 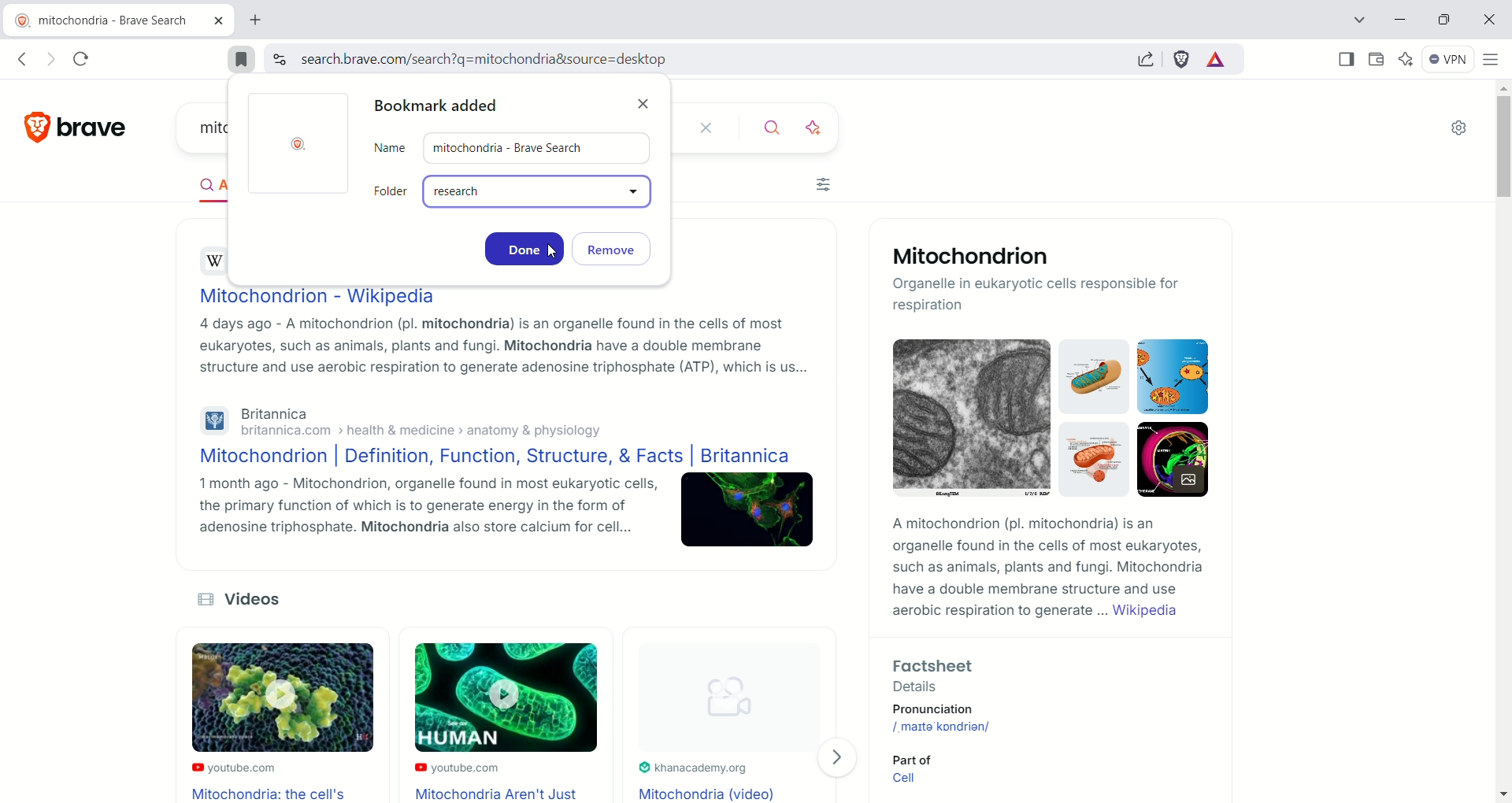 What do you see at coordinates (842, 757) in the screenshot?
I see `Visit page` at bounding box center [842, 757].